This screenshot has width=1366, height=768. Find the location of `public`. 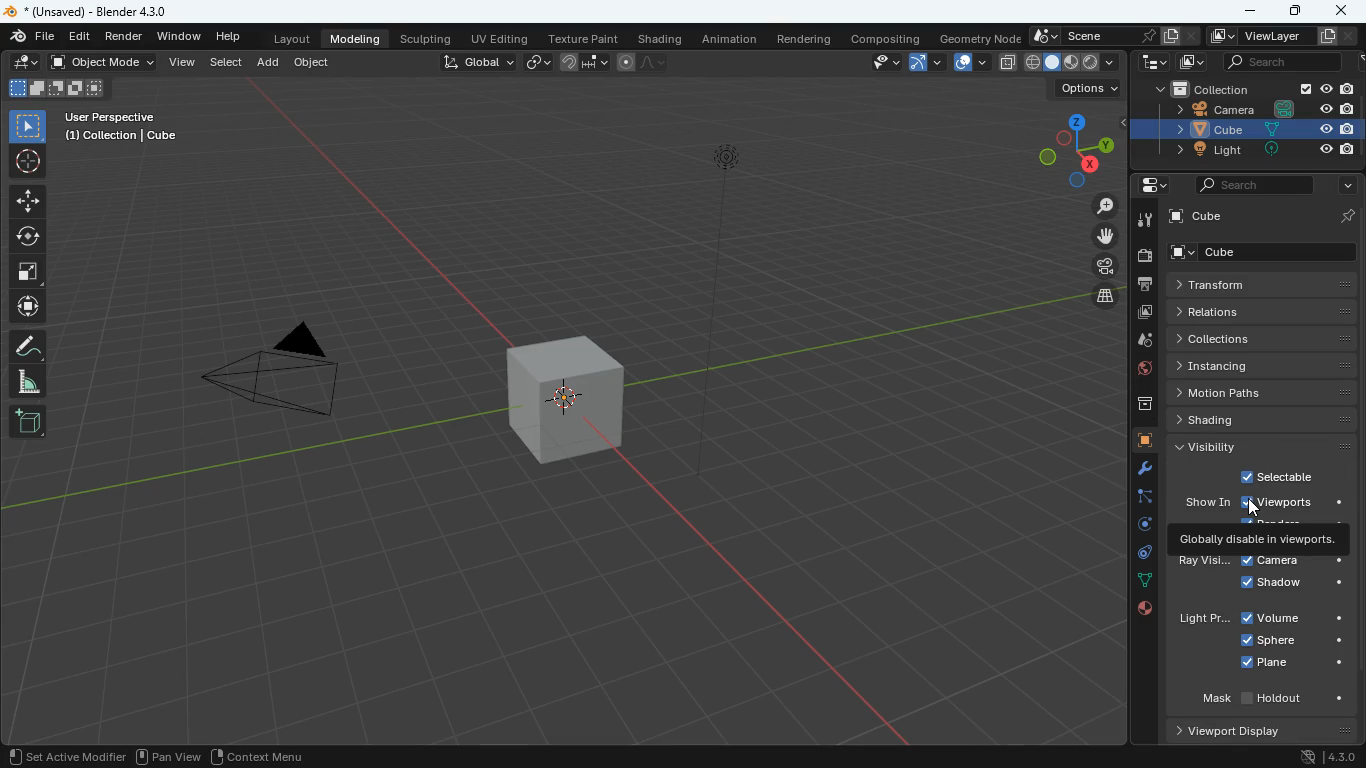

public is located at coordinates (1136, 371).